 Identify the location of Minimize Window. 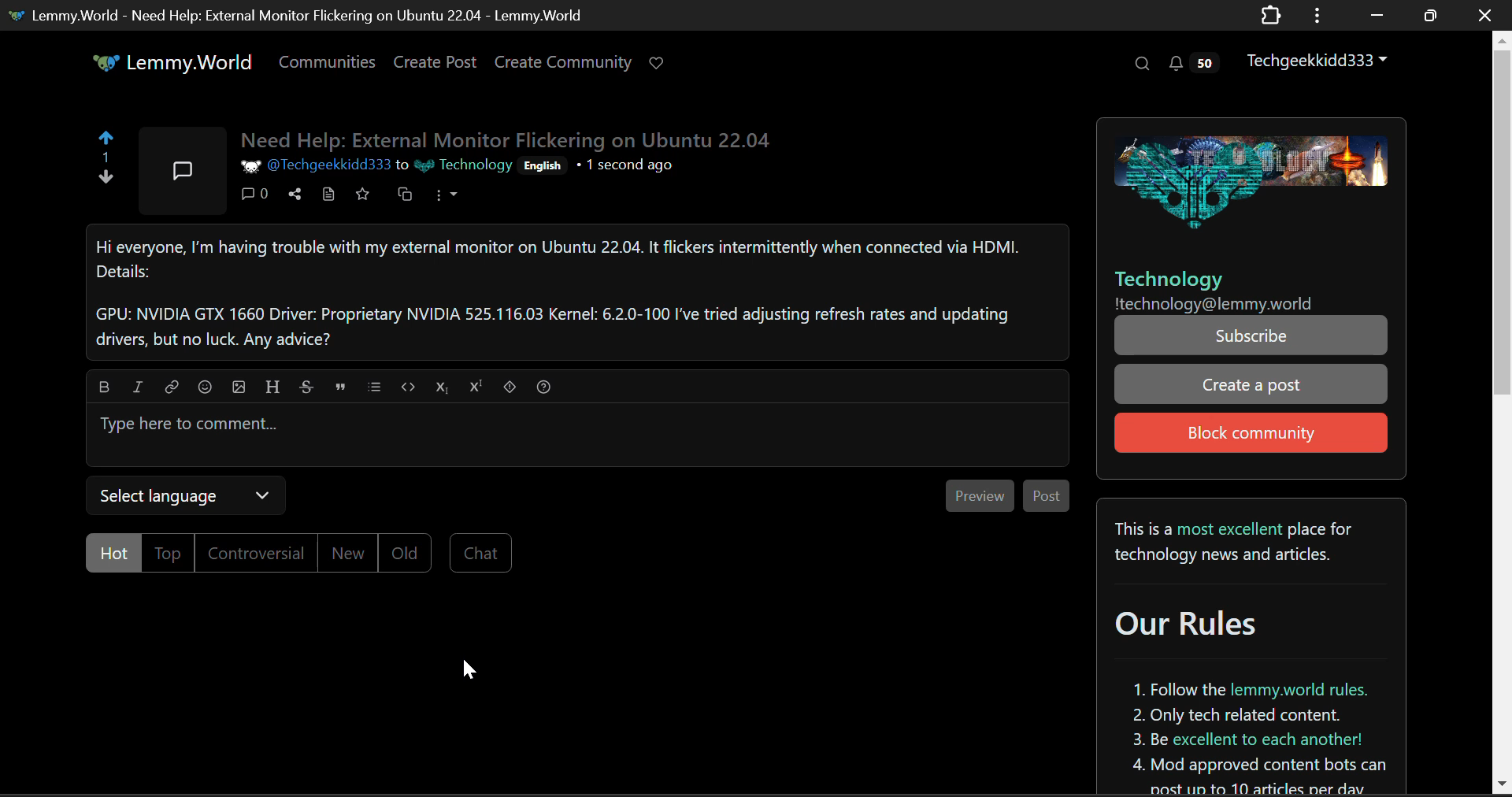
(1428, 17).